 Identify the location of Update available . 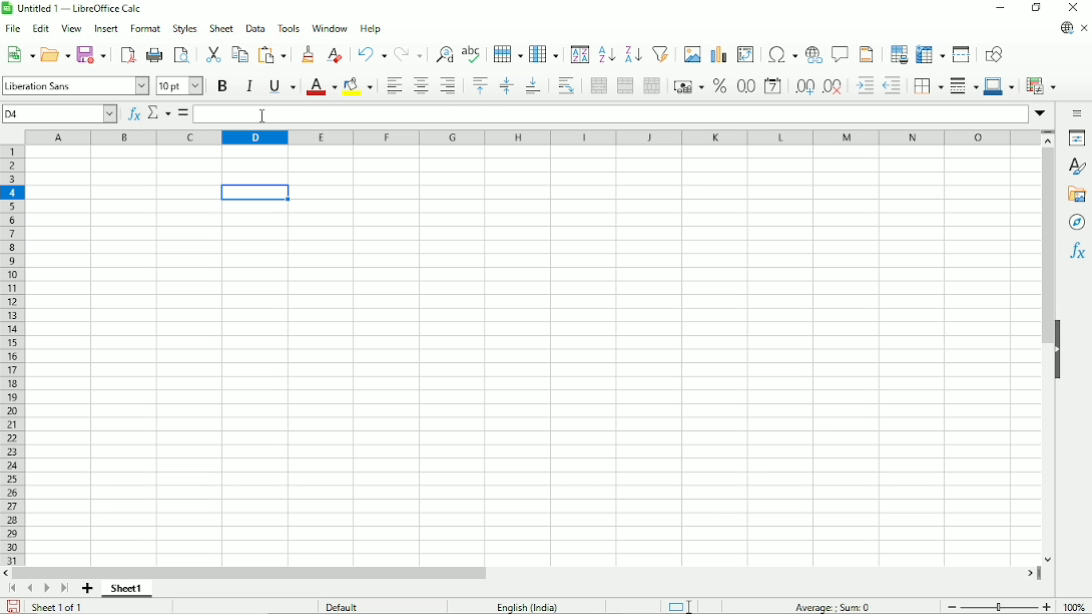
(1066, 28).